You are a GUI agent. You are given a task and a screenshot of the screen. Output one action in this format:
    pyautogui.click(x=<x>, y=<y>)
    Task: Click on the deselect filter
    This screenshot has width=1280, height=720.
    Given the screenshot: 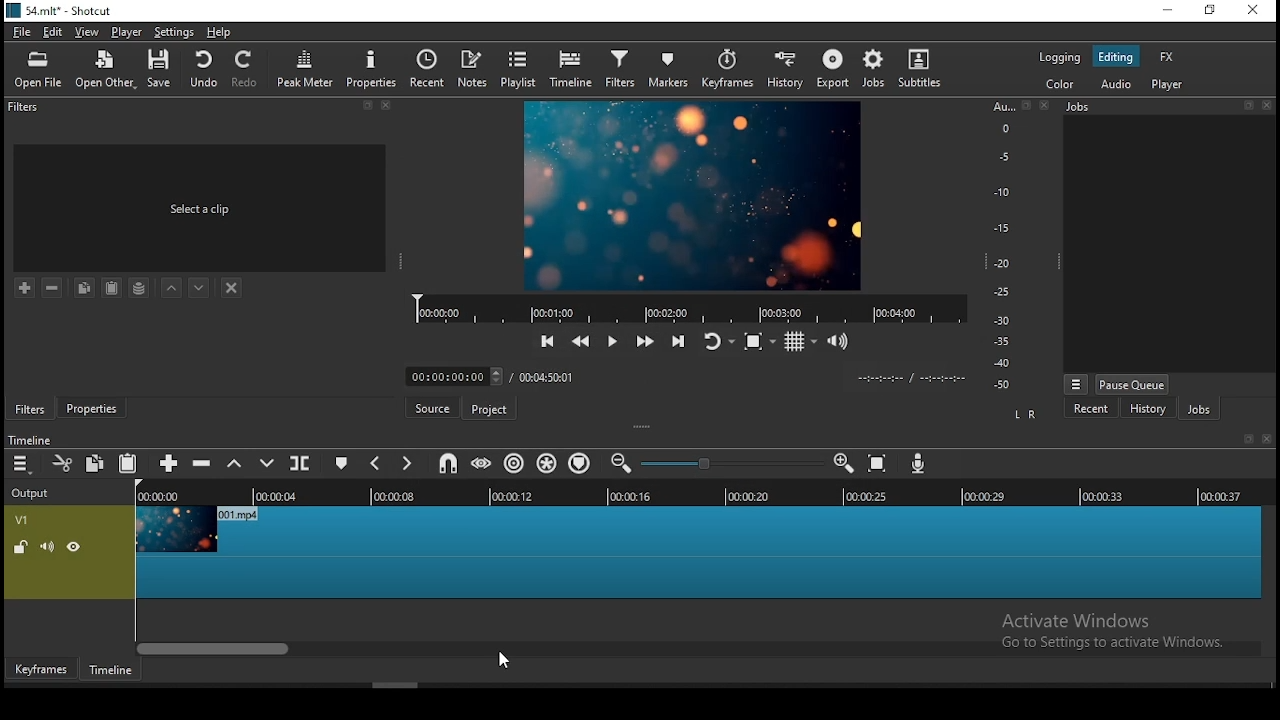 What is the action you would take?
    pyautogui.click(x=233, y=289)
    